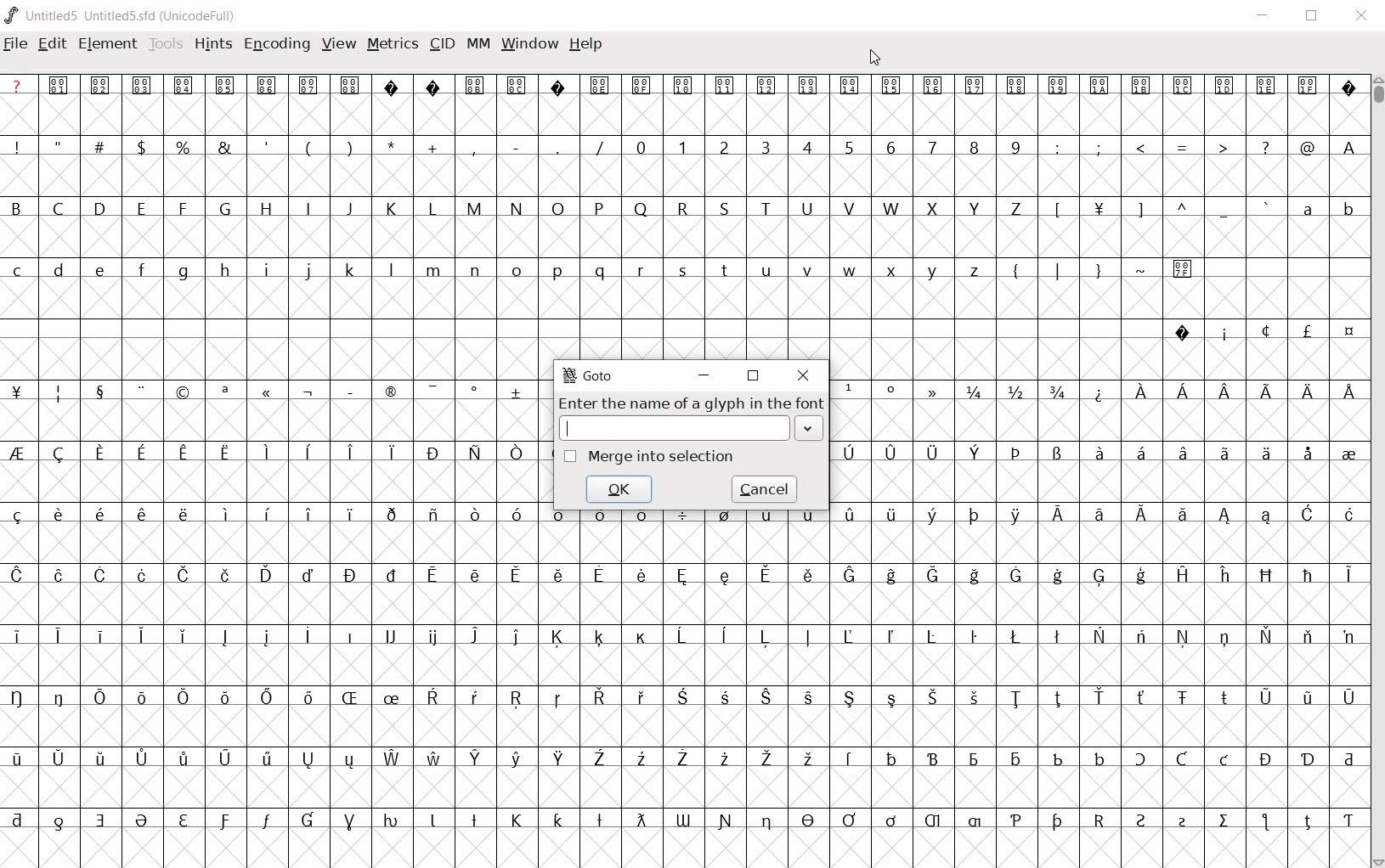  What do you see at coordinates (807, 697) in the screenshot?
I see `Symbol` at bounding box center [807, 697].